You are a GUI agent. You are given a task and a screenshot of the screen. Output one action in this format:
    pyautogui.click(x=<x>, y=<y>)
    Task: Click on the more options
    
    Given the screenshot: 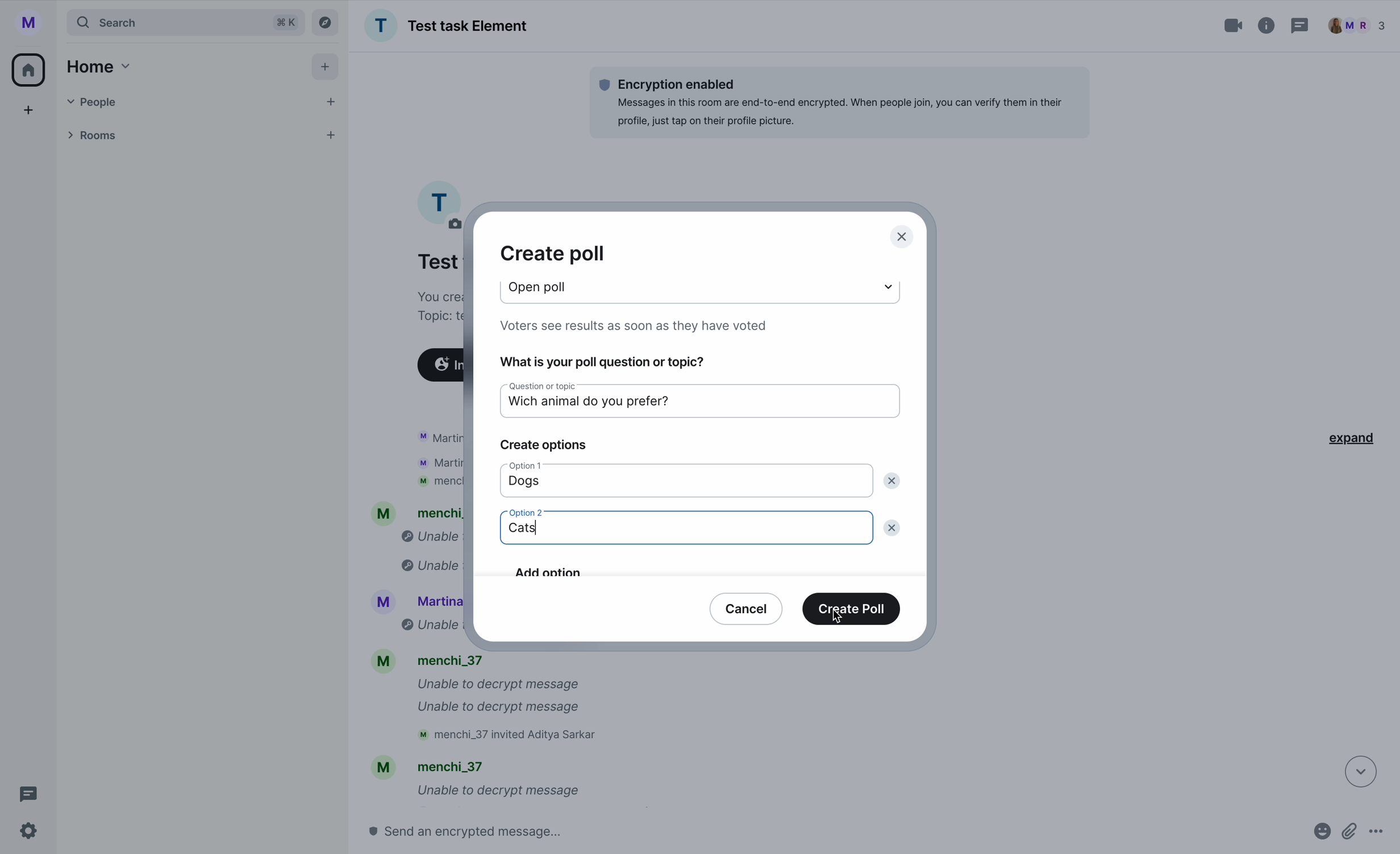 What is the action you would take?
    pyautogui.click(x=1382, y=836)
    